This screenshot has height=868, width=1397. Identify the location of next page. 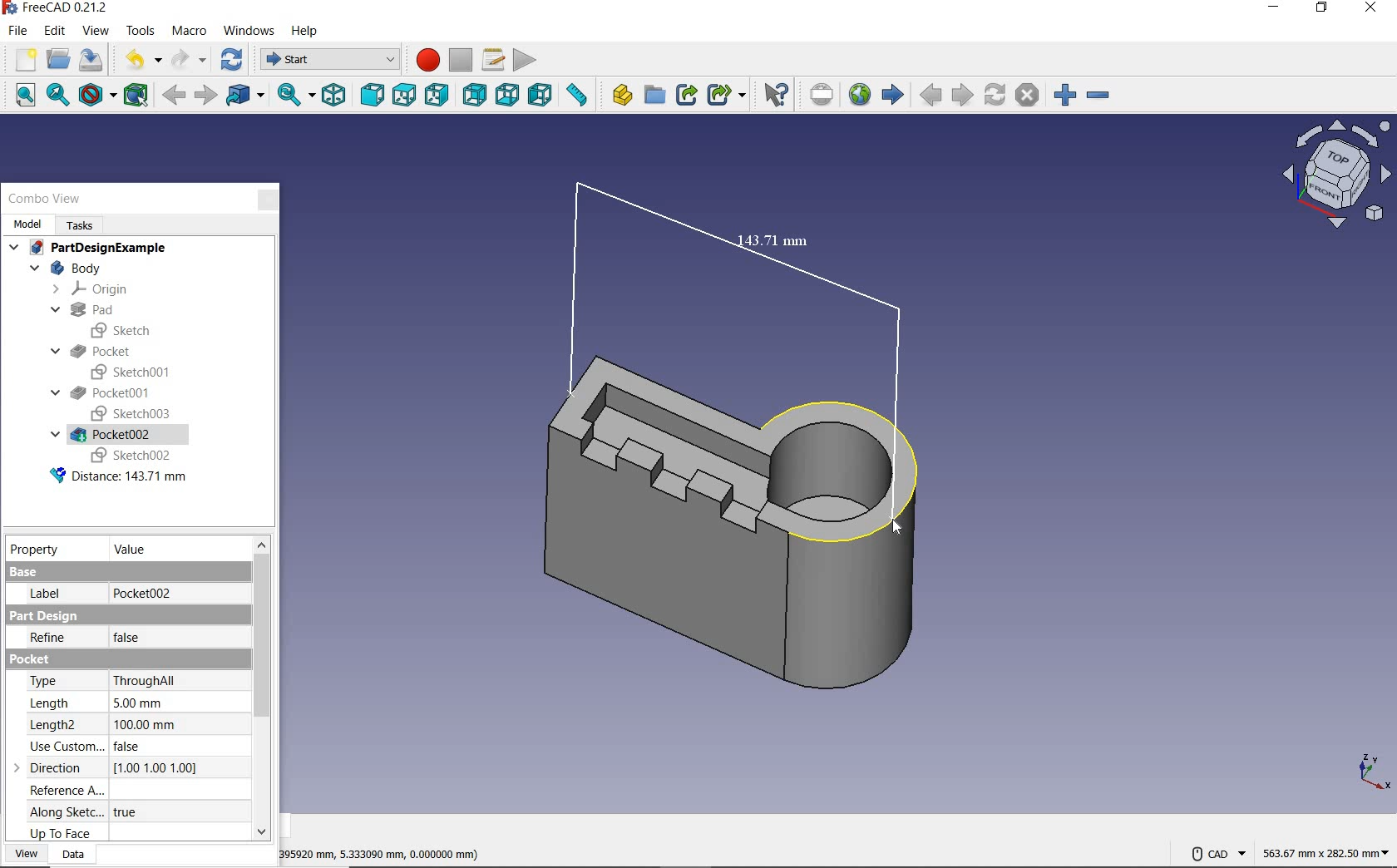
(961, 96).